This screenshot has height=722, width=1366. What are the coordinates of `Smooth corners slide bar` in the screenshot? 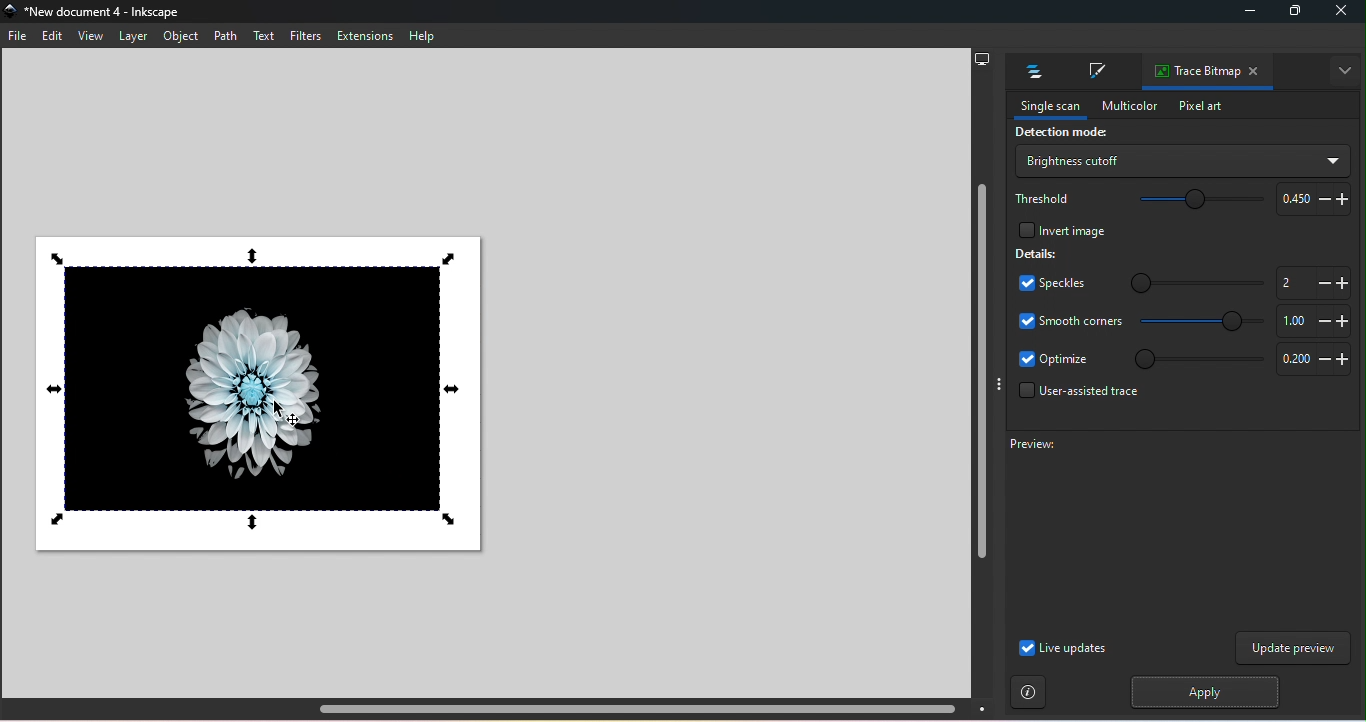 It's located at (1203, 322).